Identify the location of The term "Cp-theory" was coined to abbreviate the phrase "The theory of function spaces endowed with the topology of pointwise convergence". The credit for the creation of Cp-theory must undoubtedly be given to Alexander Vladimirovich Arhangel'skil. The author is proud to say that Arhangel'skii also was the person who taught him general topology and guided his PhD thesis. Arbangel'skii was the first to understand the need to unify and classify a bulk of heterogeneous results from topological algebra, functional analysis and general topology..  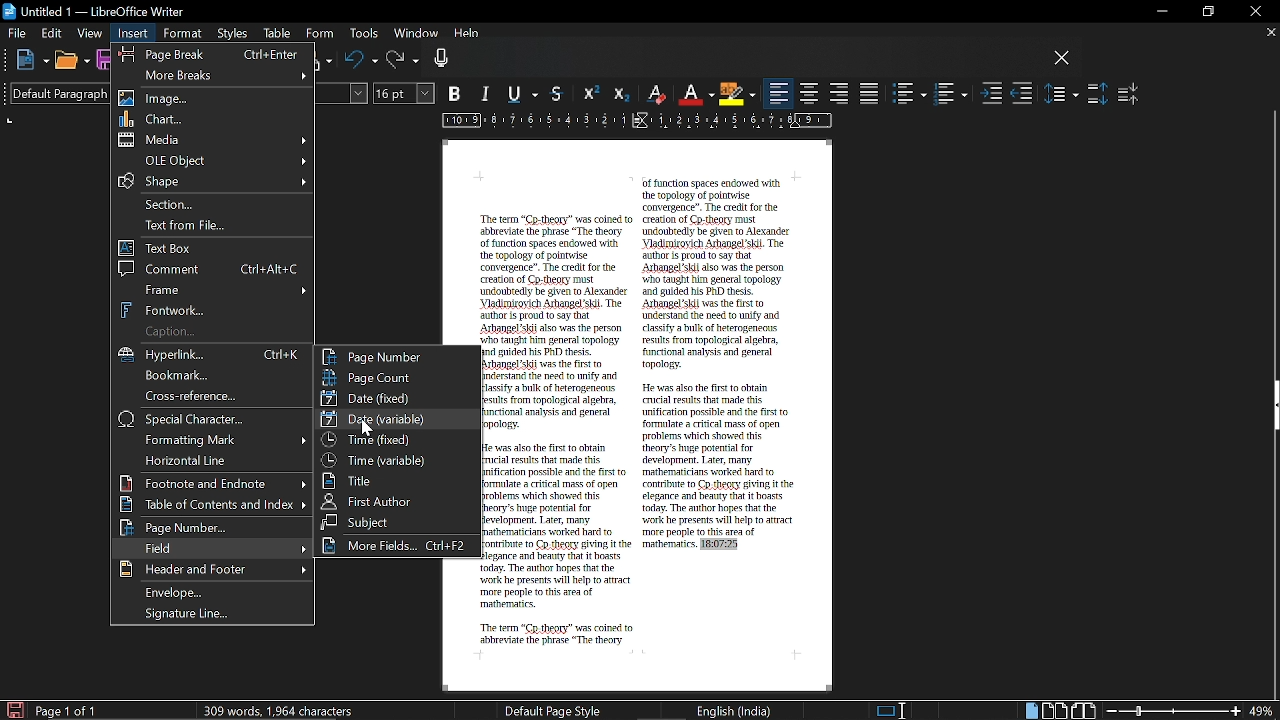
(560, 322).